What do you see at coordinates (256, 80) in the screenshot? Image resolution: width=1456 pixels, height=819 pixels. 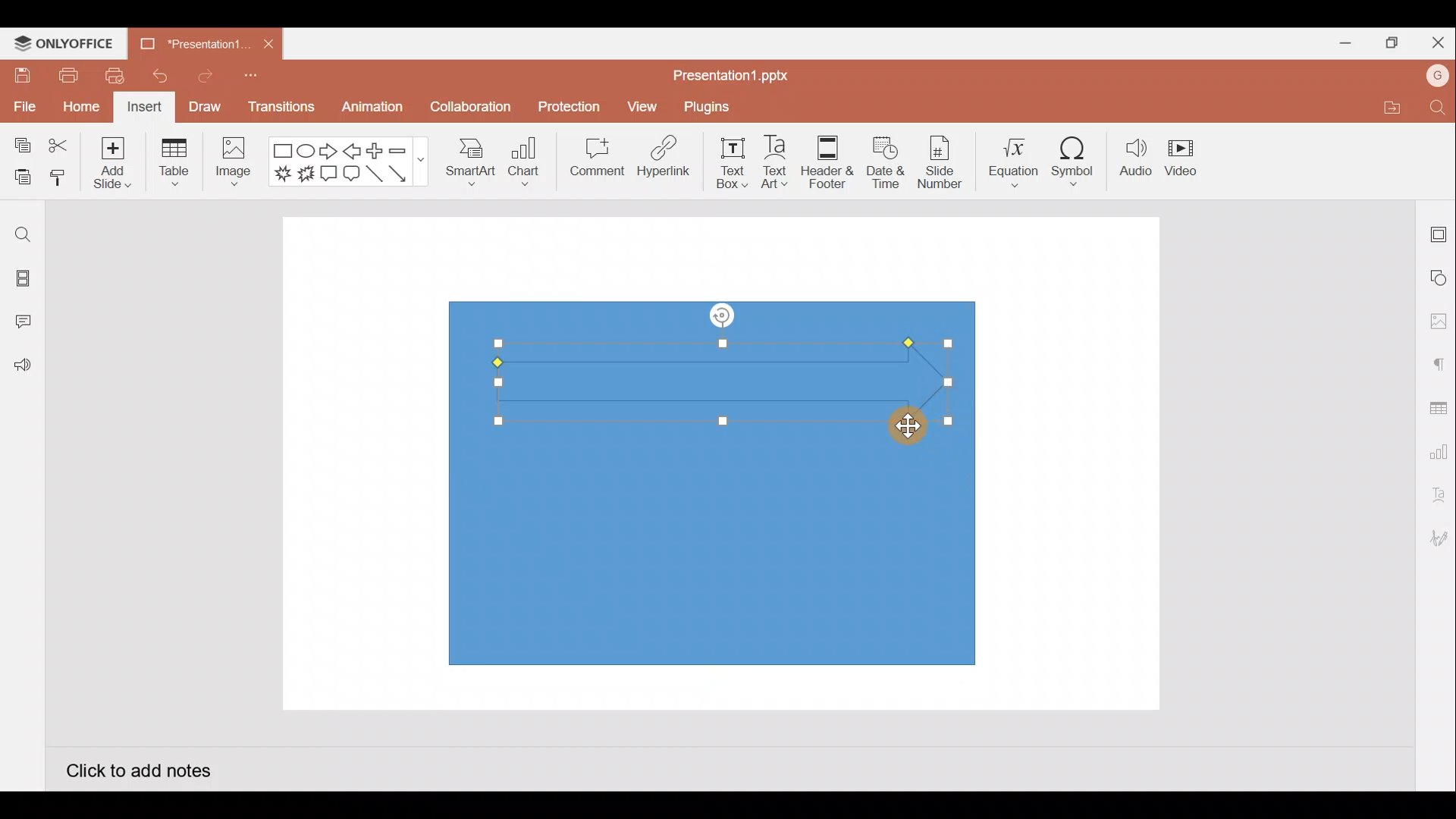 I see `Customize quick access toolbar` at bounding box center [256, 80].